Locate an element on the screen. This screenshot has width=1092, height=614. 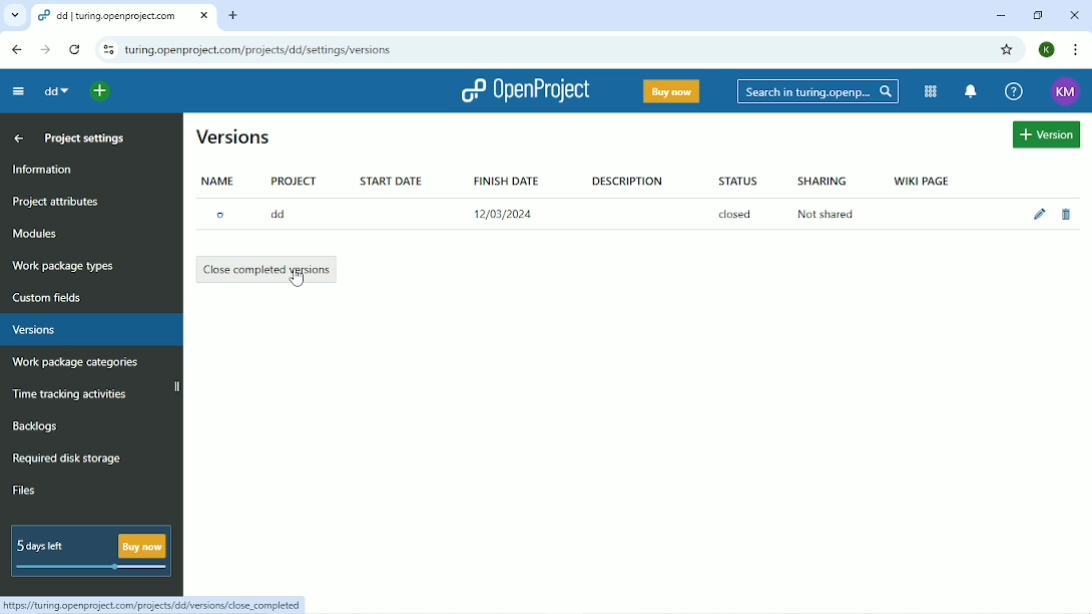
reload is located at coordinates (73, 48).